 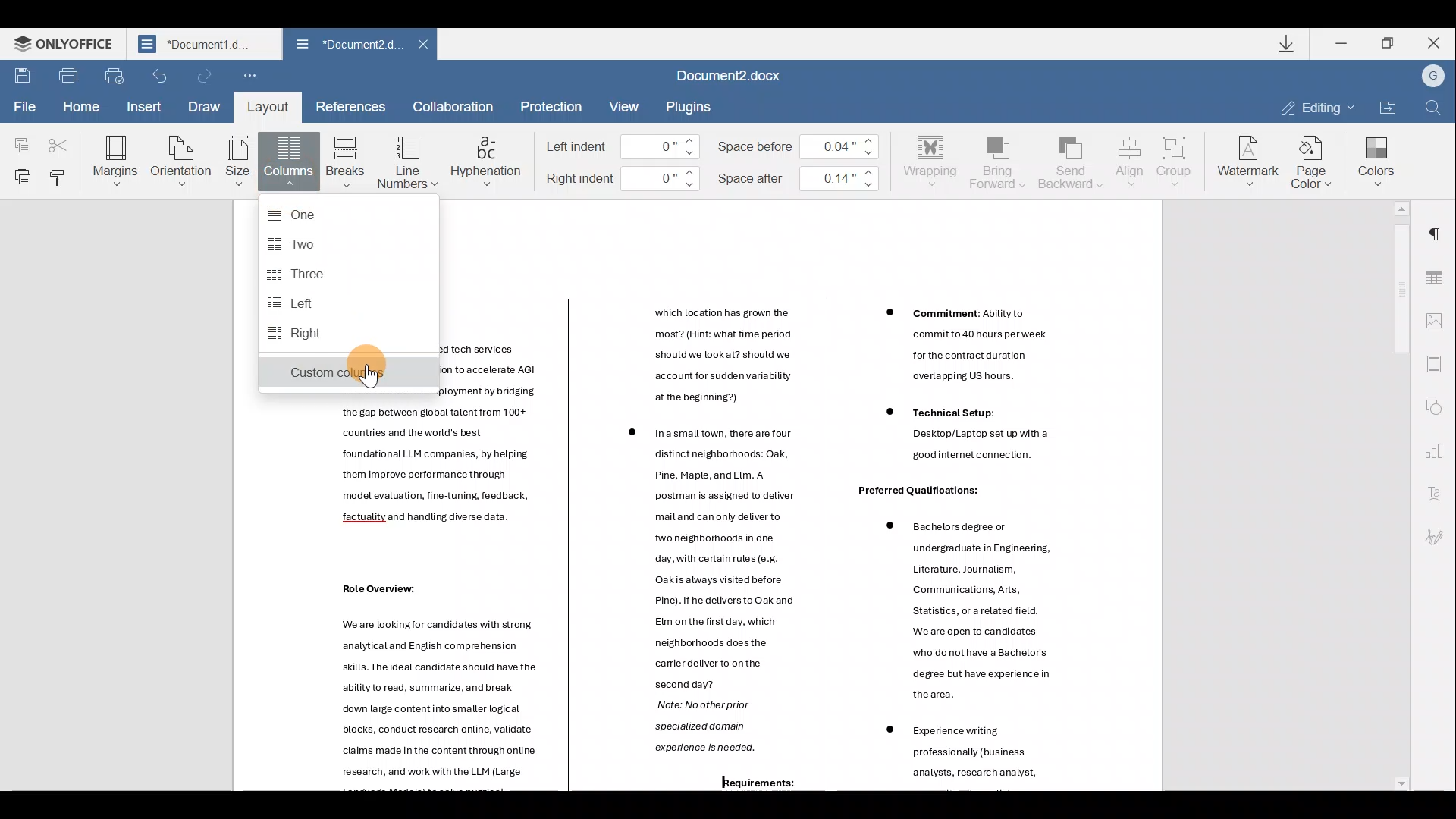 I want to click on References, so click(x=352, y=106).